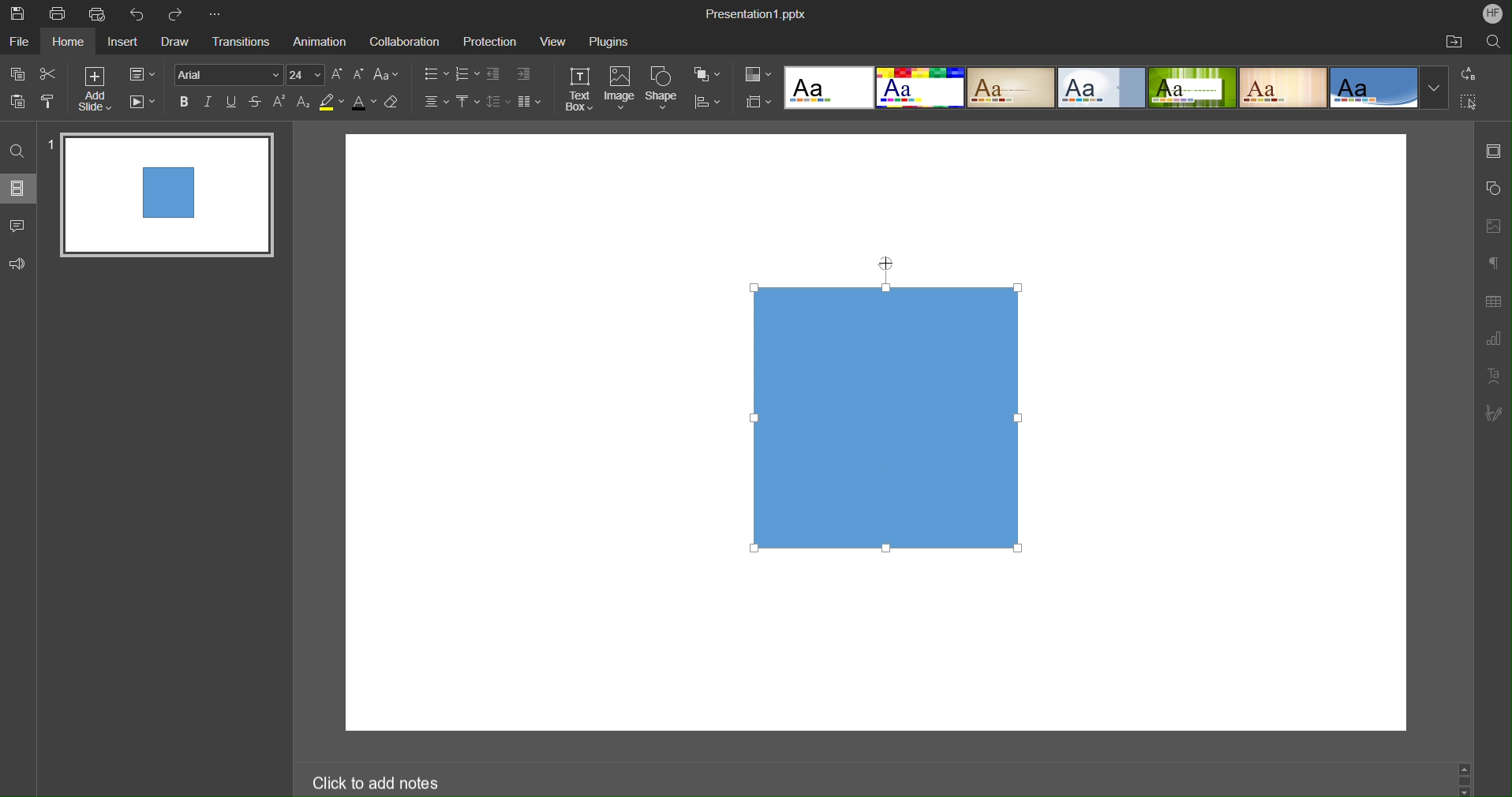  Describe the element at coordinates (1491, 15) in the screenshot. I see `Account` at that location.